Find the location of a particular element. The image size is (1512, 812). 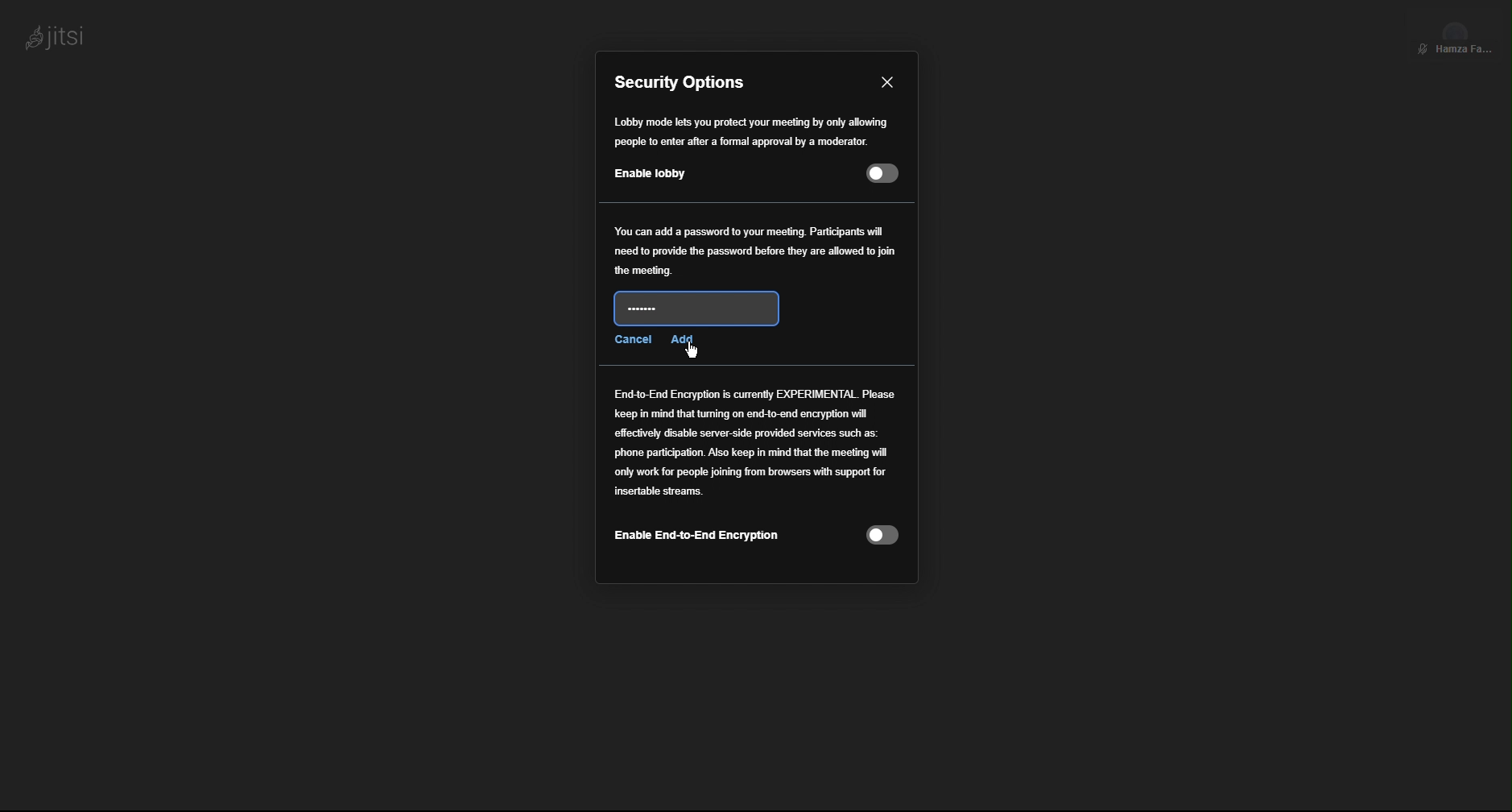

Cursor is located at coordinates (694, 351).